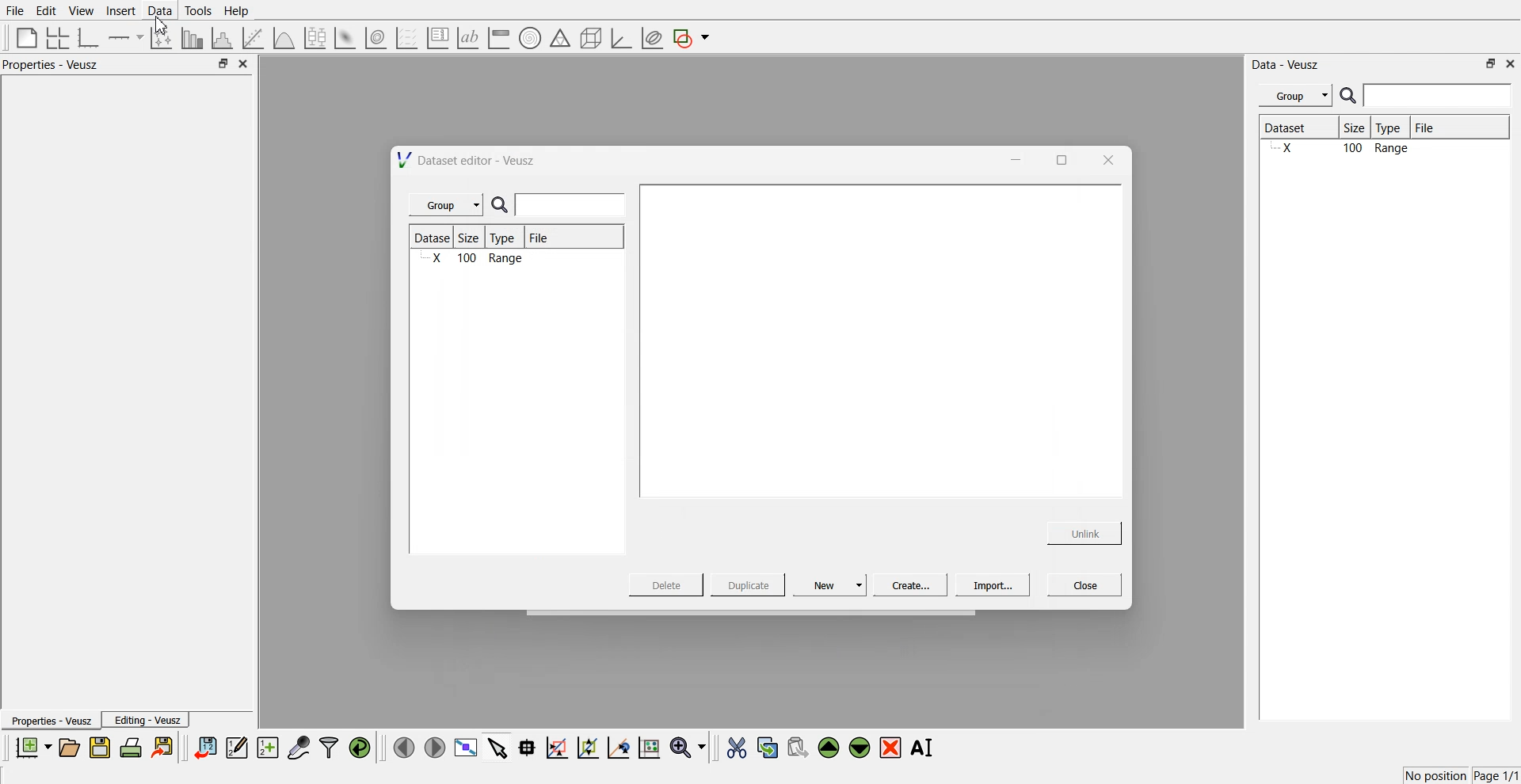 The image size is (1521, 784). I want to click on minimise, so click(1012, 158).